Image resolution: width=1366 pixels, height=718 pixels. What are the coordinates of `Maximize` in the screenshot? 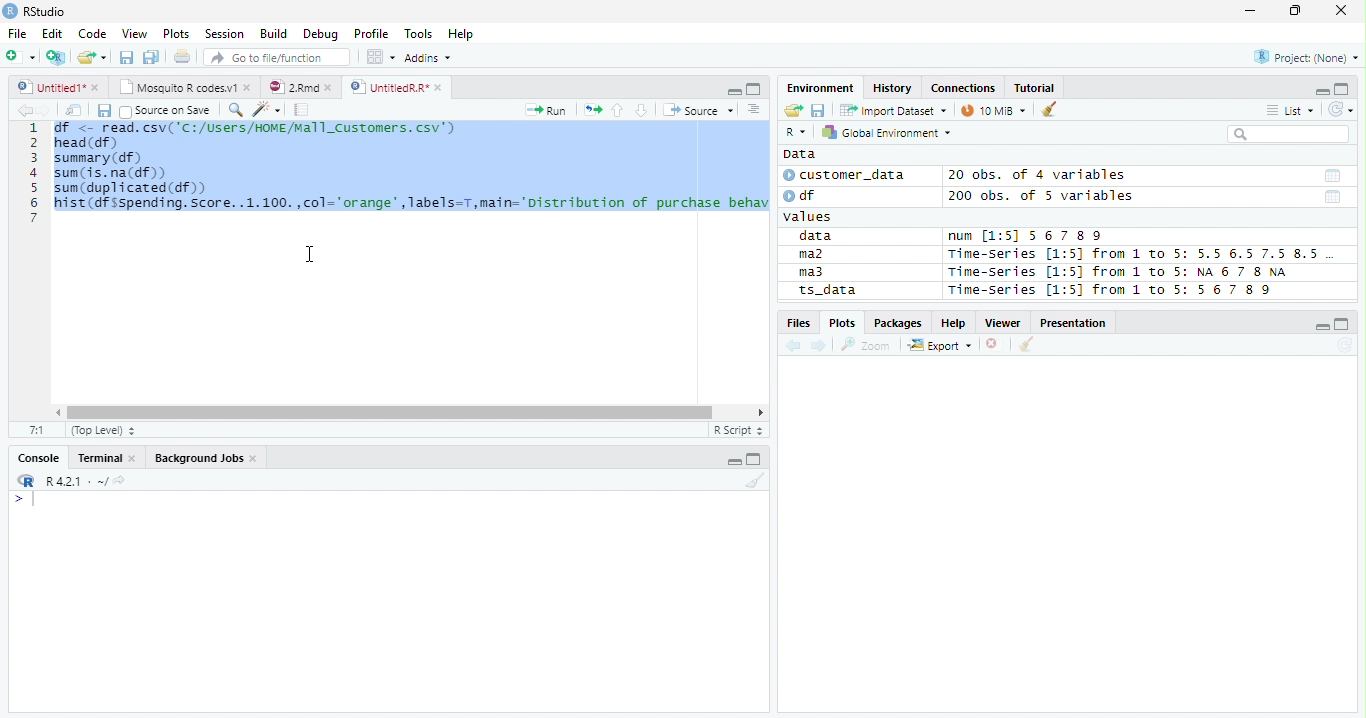 It's located at (756, 460).